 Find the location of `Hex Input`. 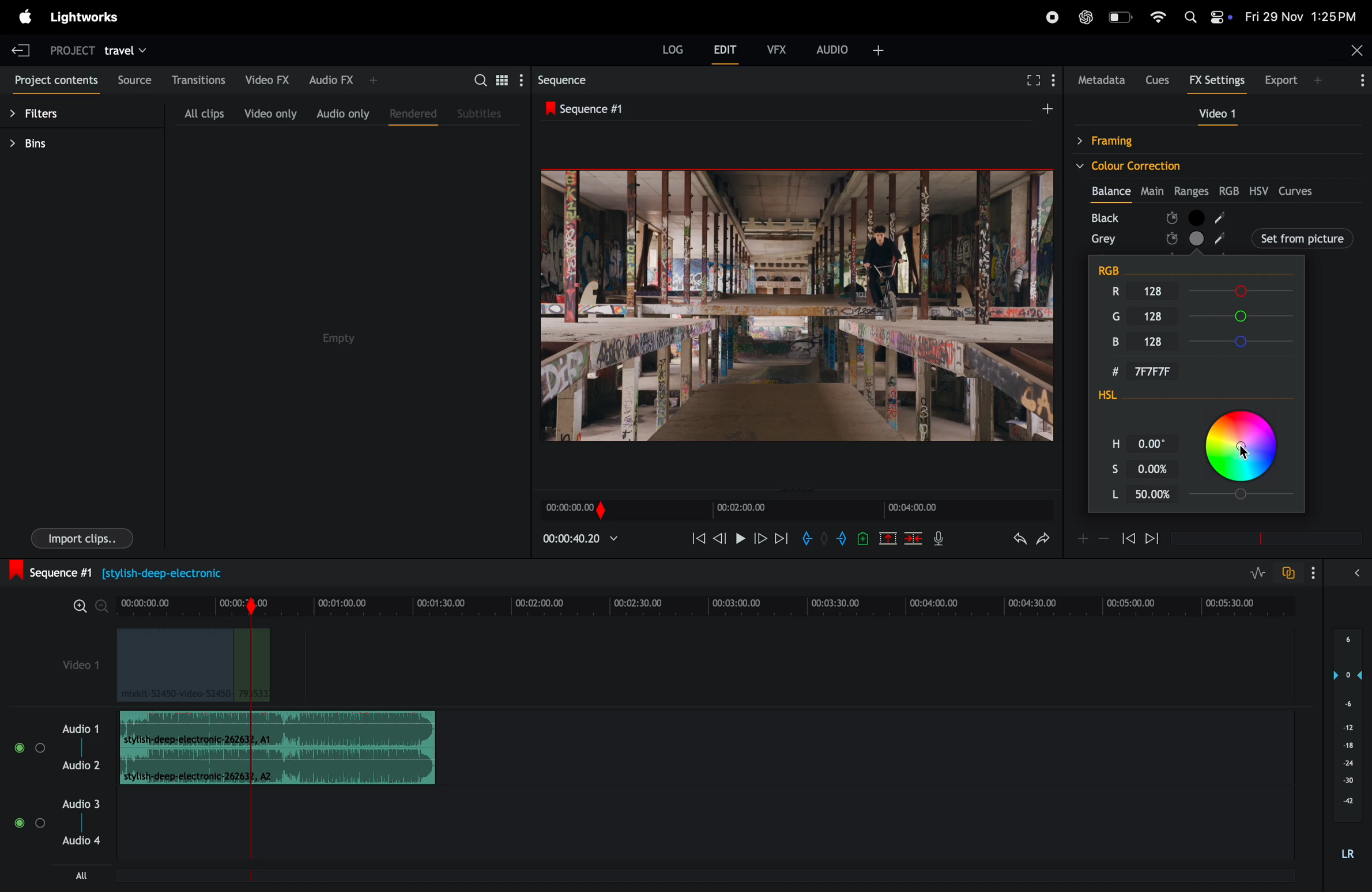

Hex Input is located at coordinates (1160, 372).